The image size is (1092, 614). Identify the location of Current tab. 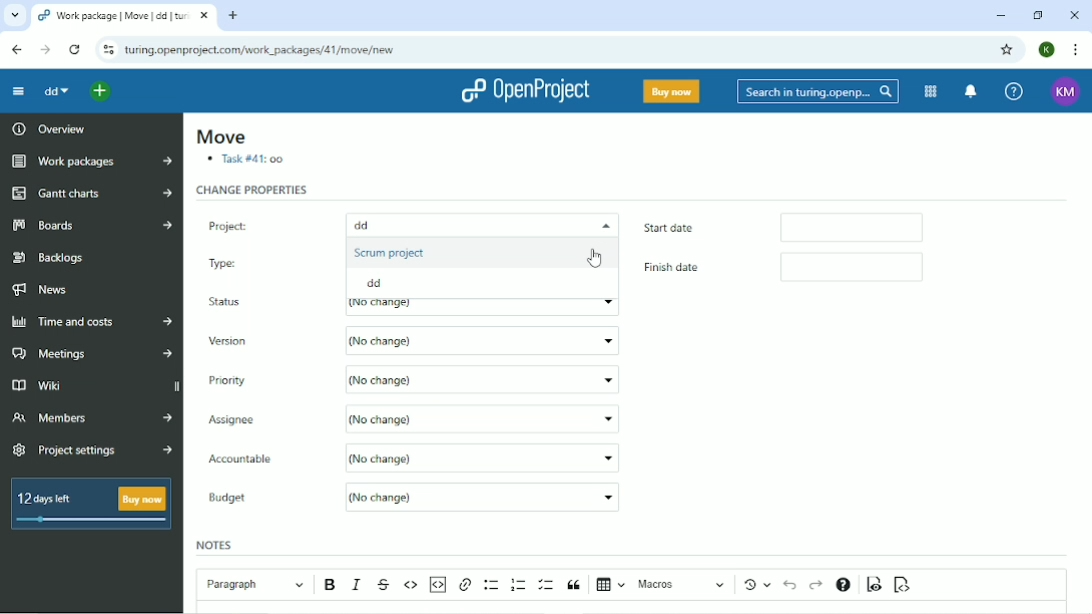
(122, 16).